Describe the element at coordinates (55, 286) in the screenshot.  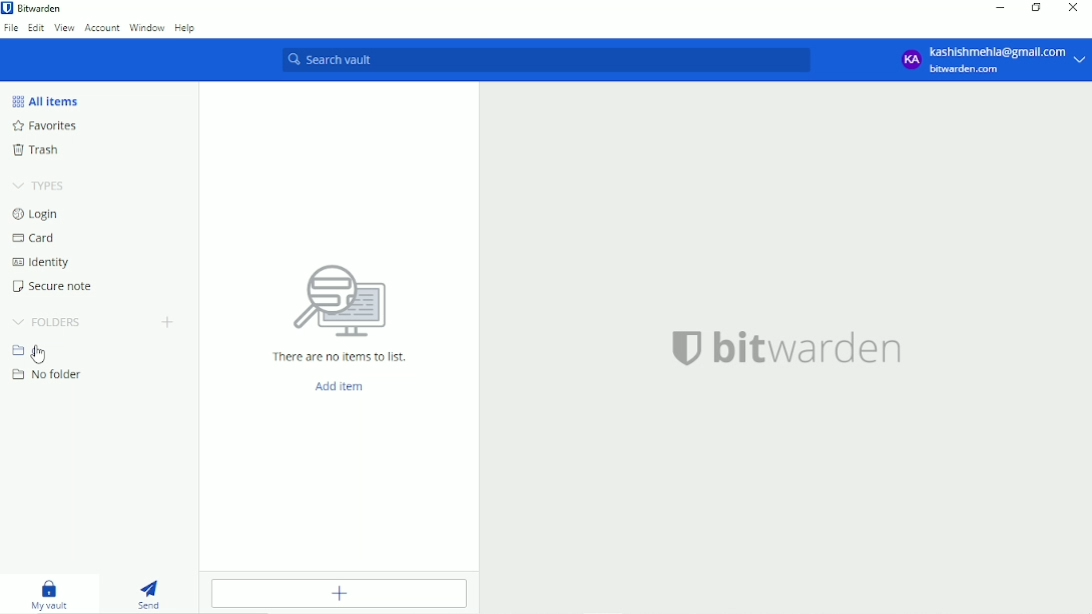
I see `Secure note` at that location.